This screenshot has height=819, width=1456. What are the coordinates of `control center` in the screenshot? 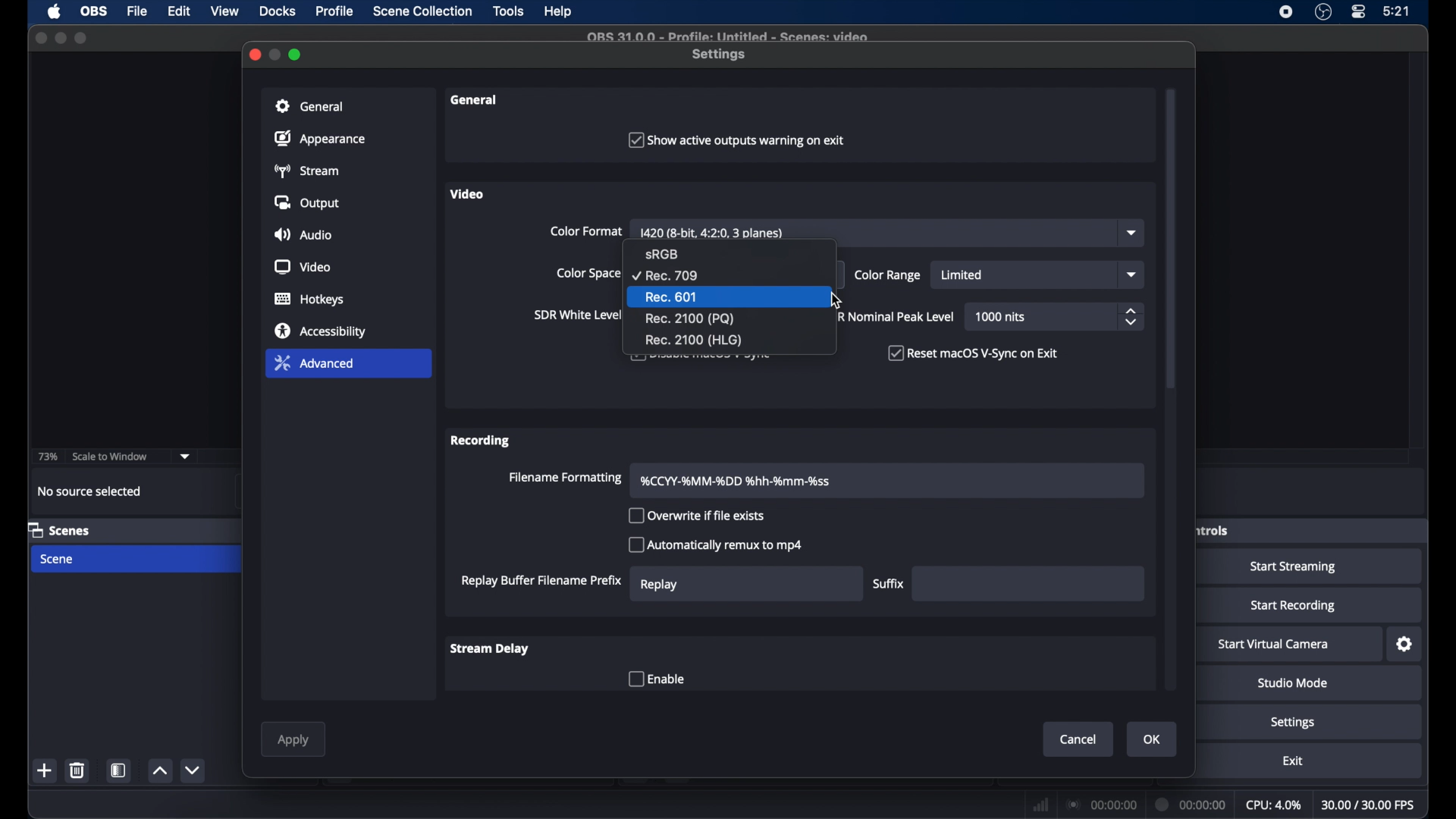 It's located at (1357, 12).